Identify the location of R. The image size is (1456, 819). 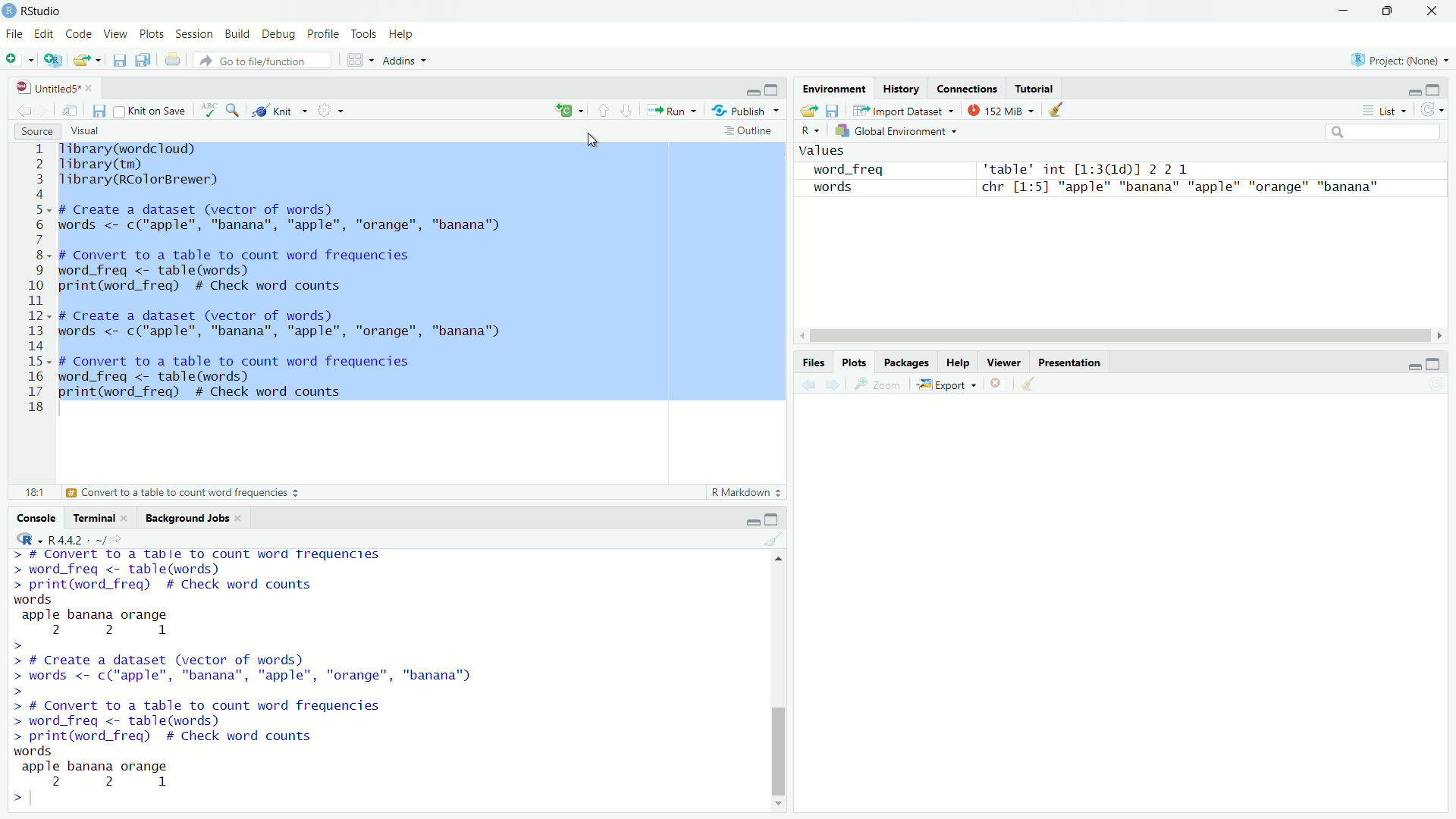
(811, 130).